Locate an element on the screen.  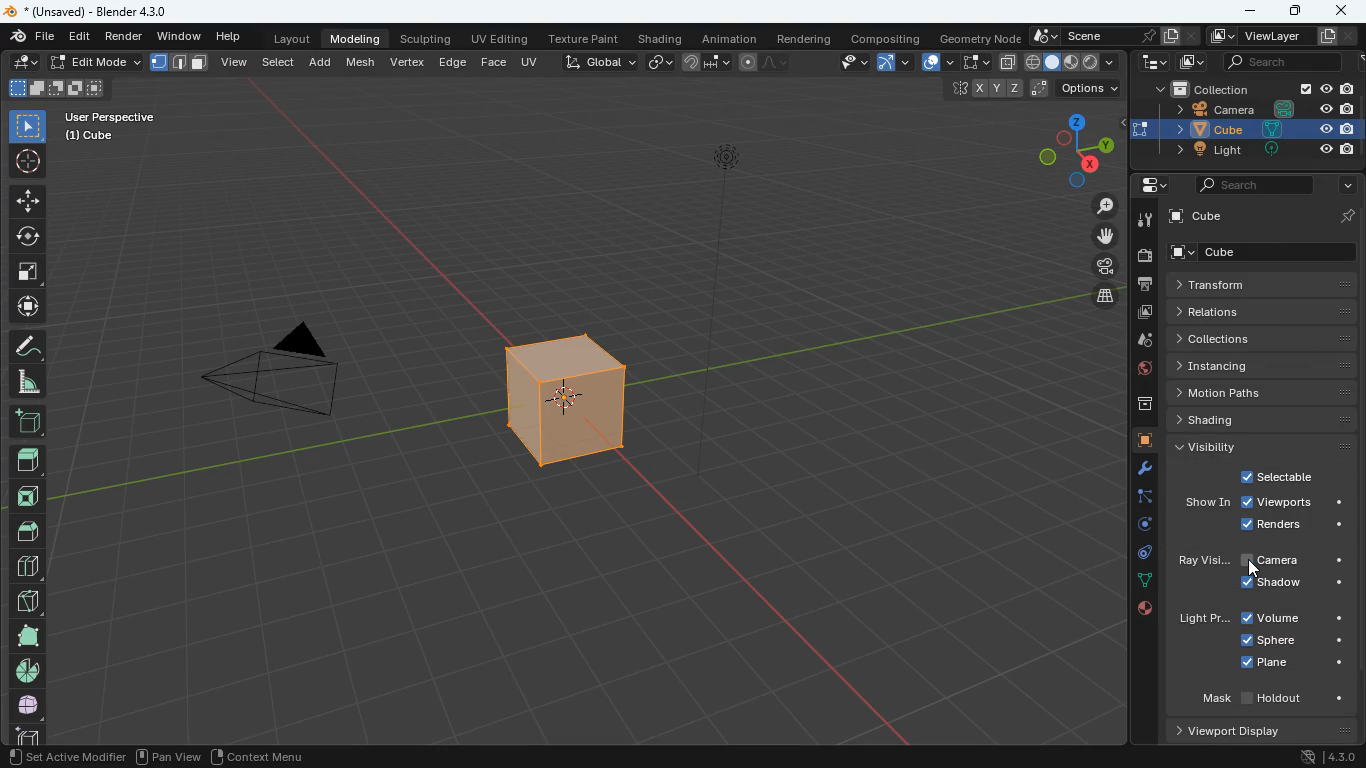
tools is located at coordinates (1146, 222).